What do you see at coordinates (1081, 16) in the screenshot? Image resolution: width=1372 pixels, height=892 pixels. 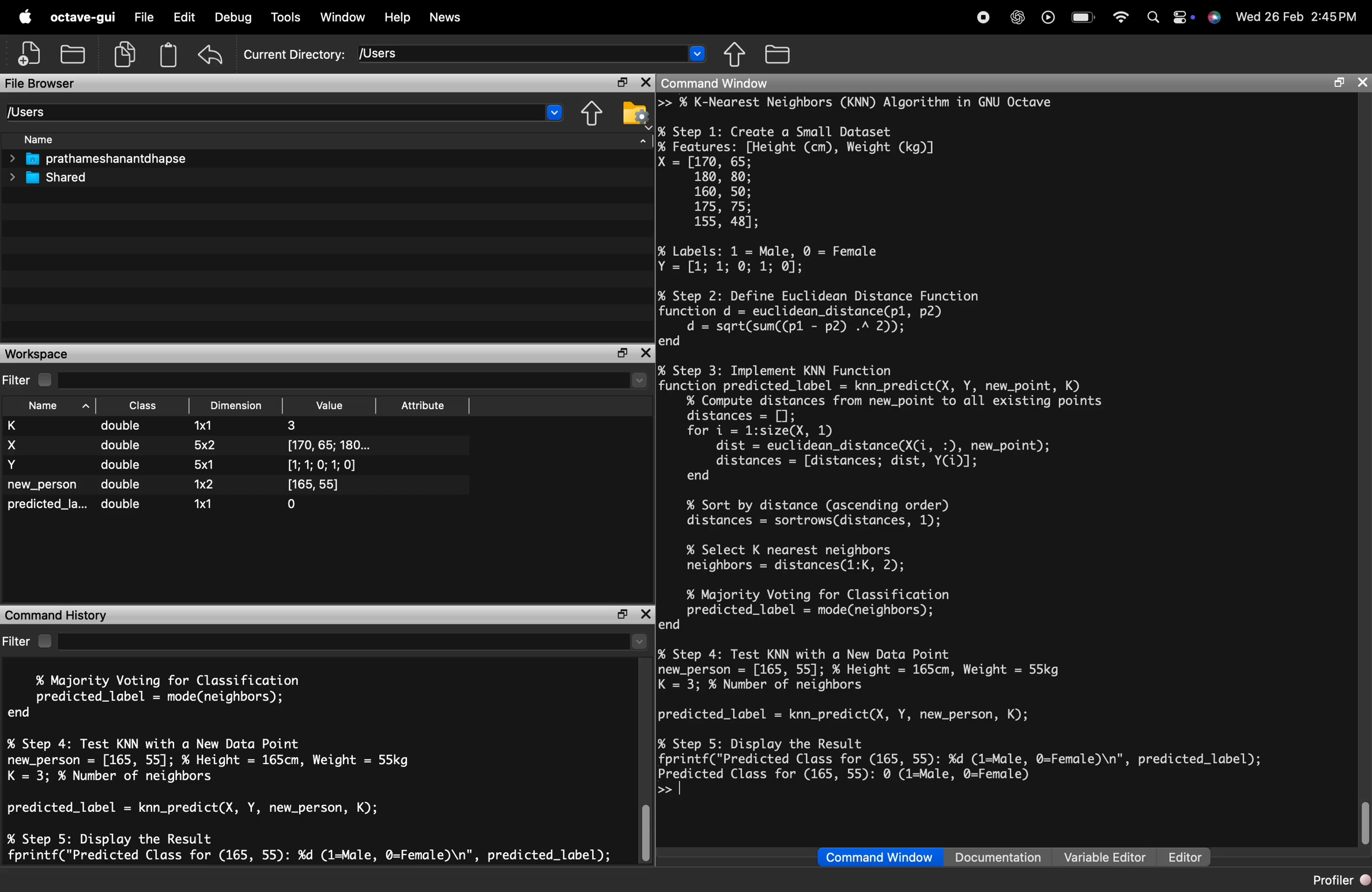 I see `battery` at bounding box center [1081, 16].